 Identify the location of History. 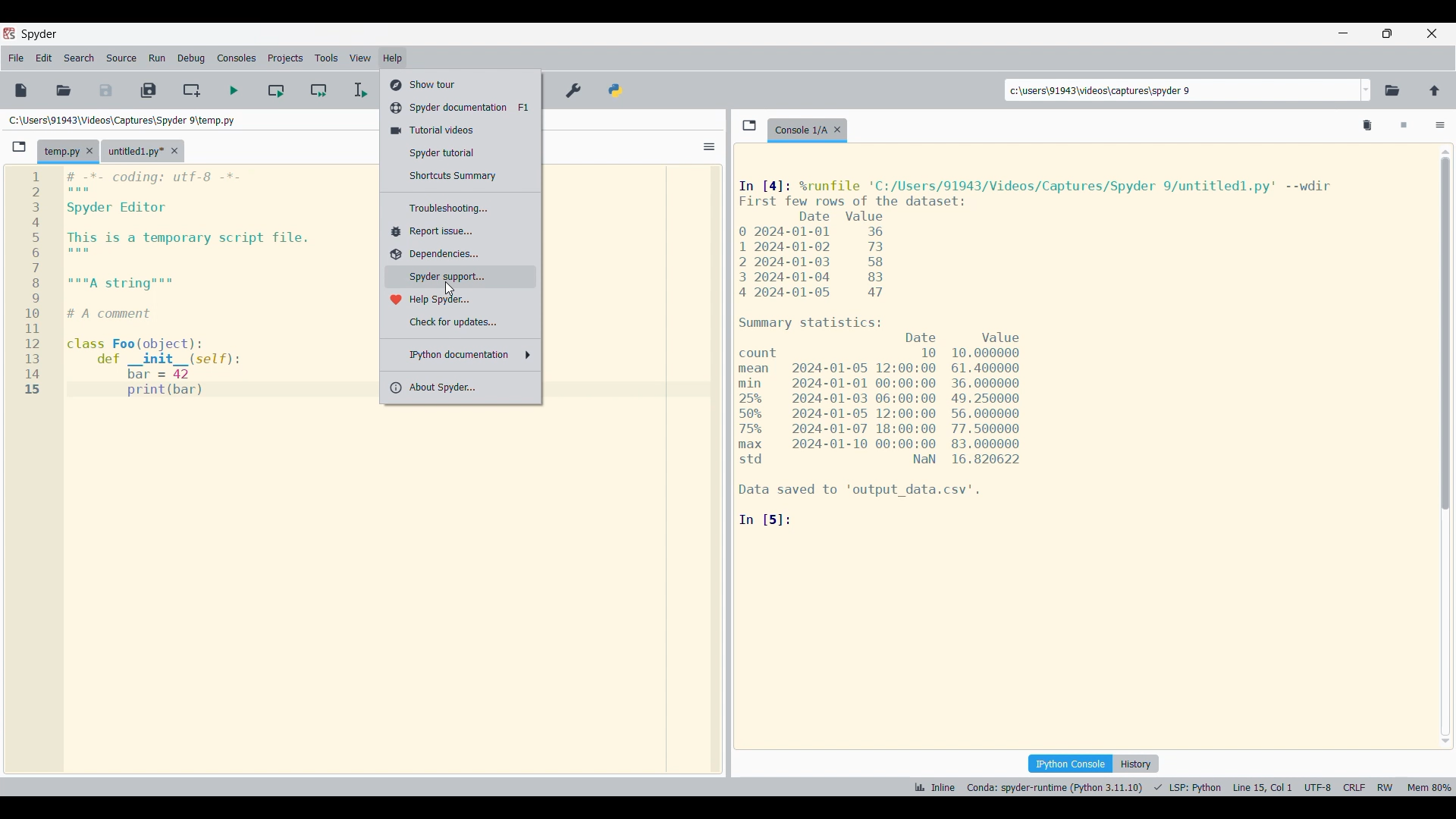
(1136, 764).